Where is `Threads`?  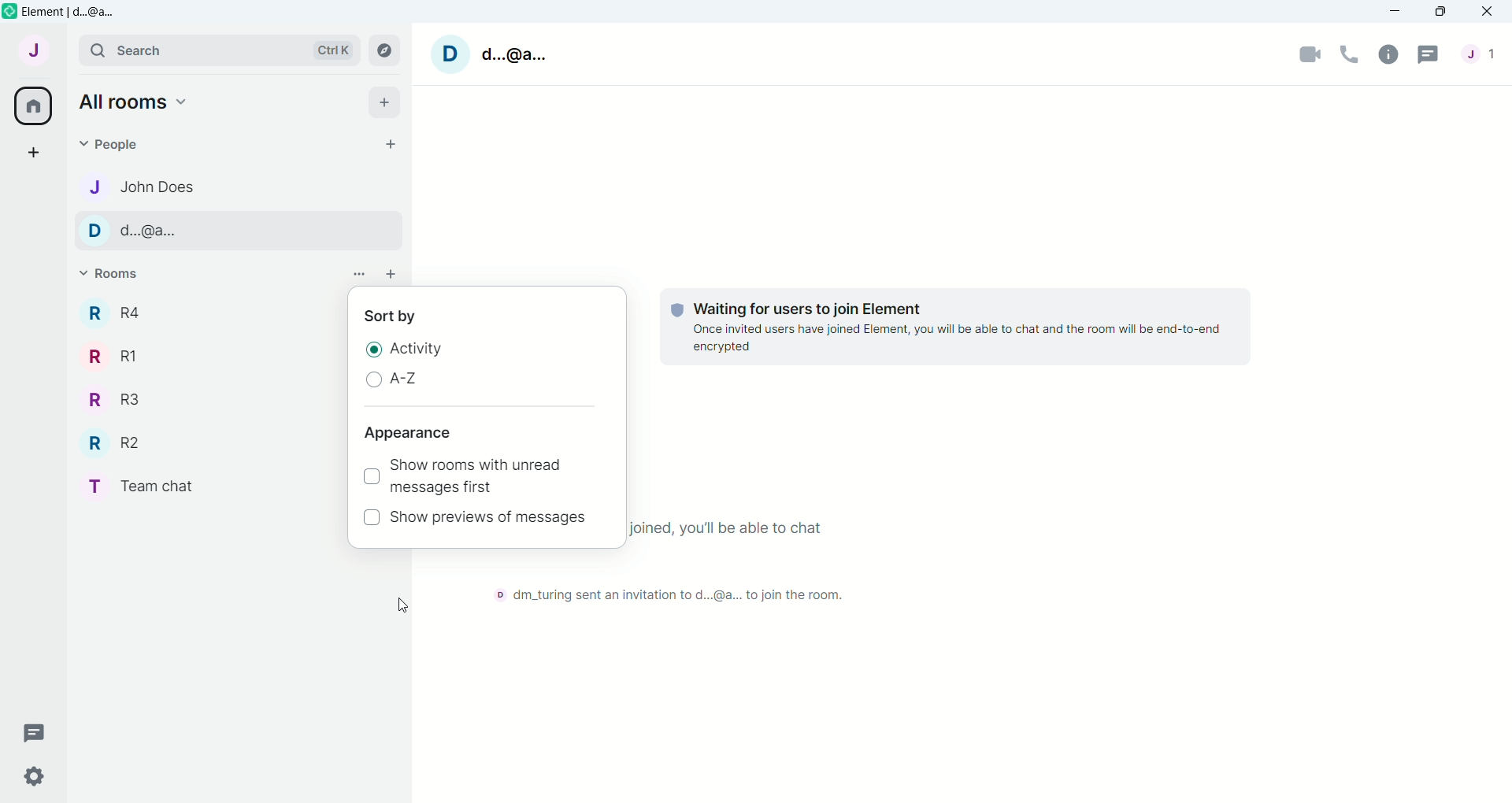
Threads is located at coordinates (39, 732).